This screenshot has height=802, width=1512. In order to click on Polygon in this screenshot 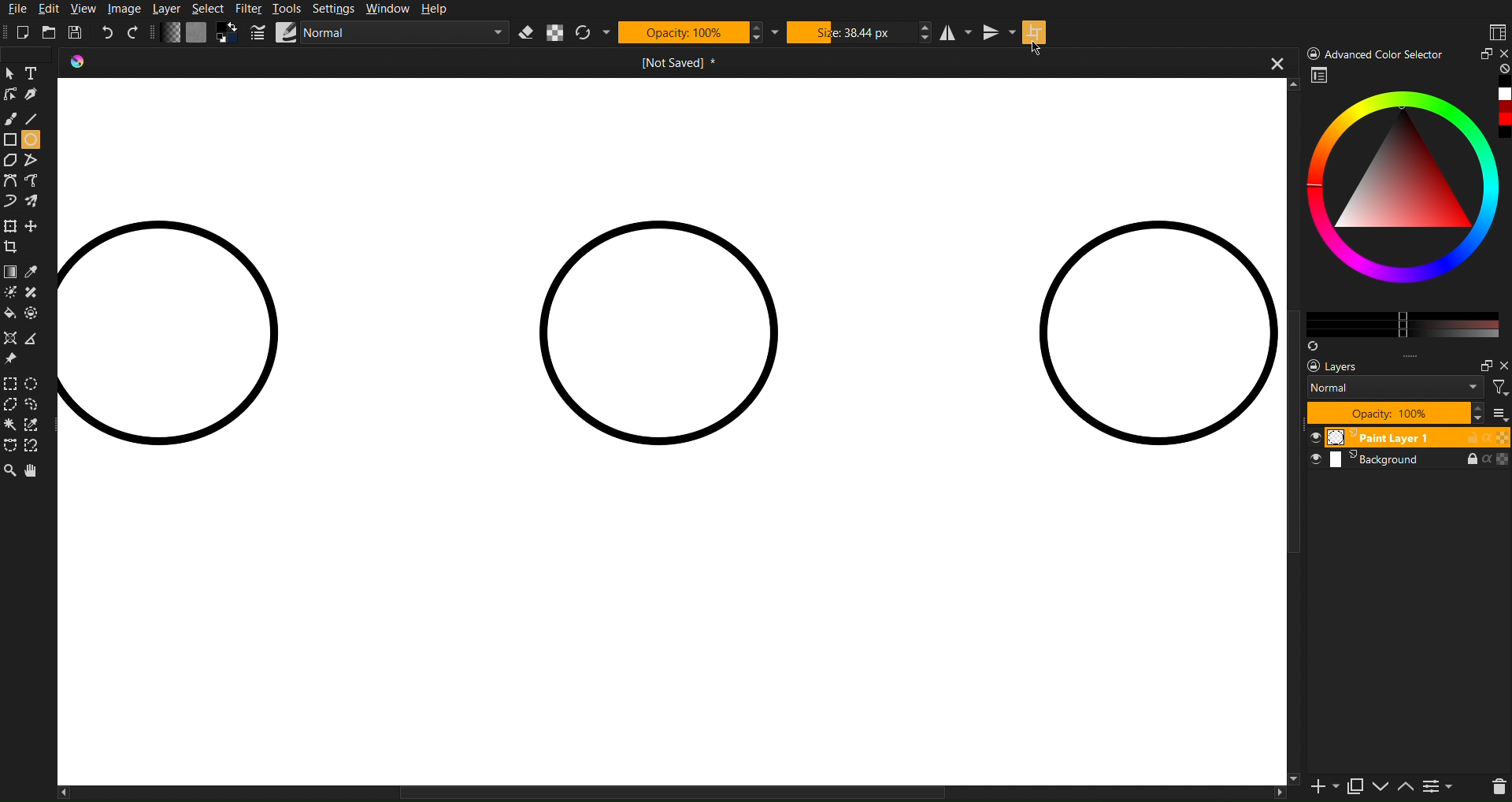, I will do `click(34, 339)`.